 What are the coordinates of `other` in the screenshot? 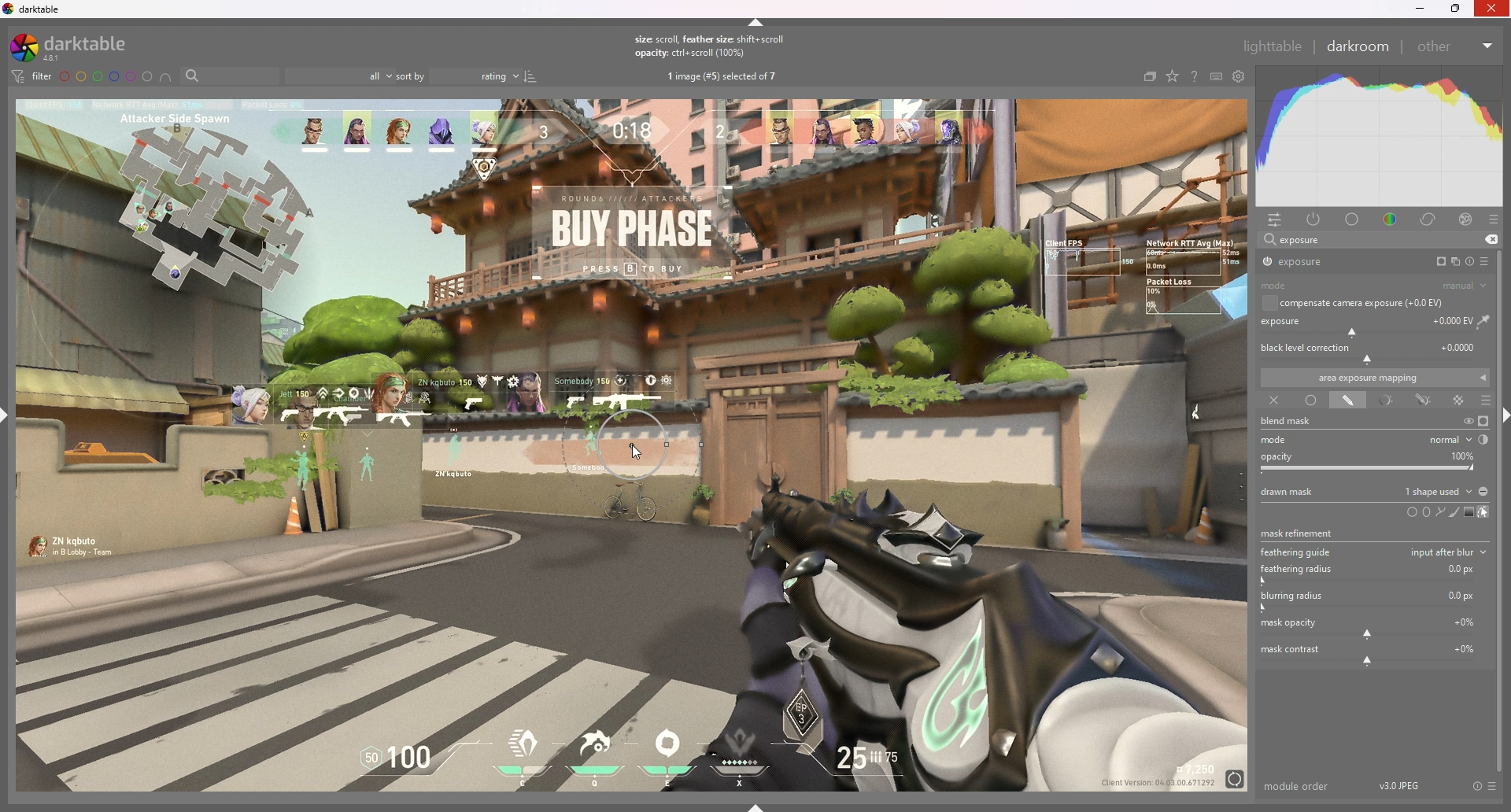 It's located at (1456, 46).